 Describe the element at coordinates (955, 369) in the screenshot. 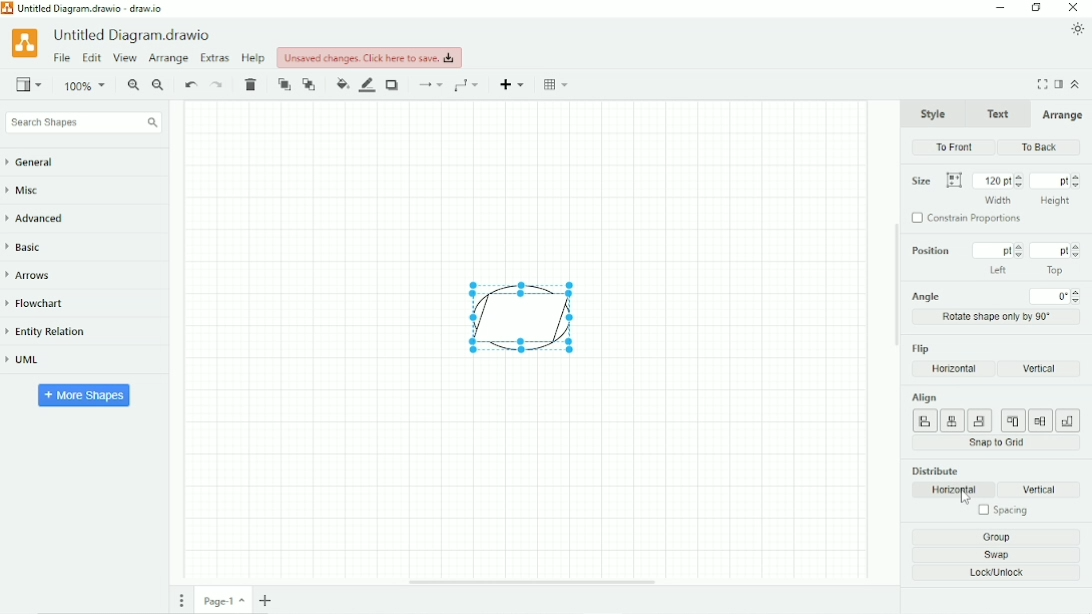

I see `Horizontal` at that location.